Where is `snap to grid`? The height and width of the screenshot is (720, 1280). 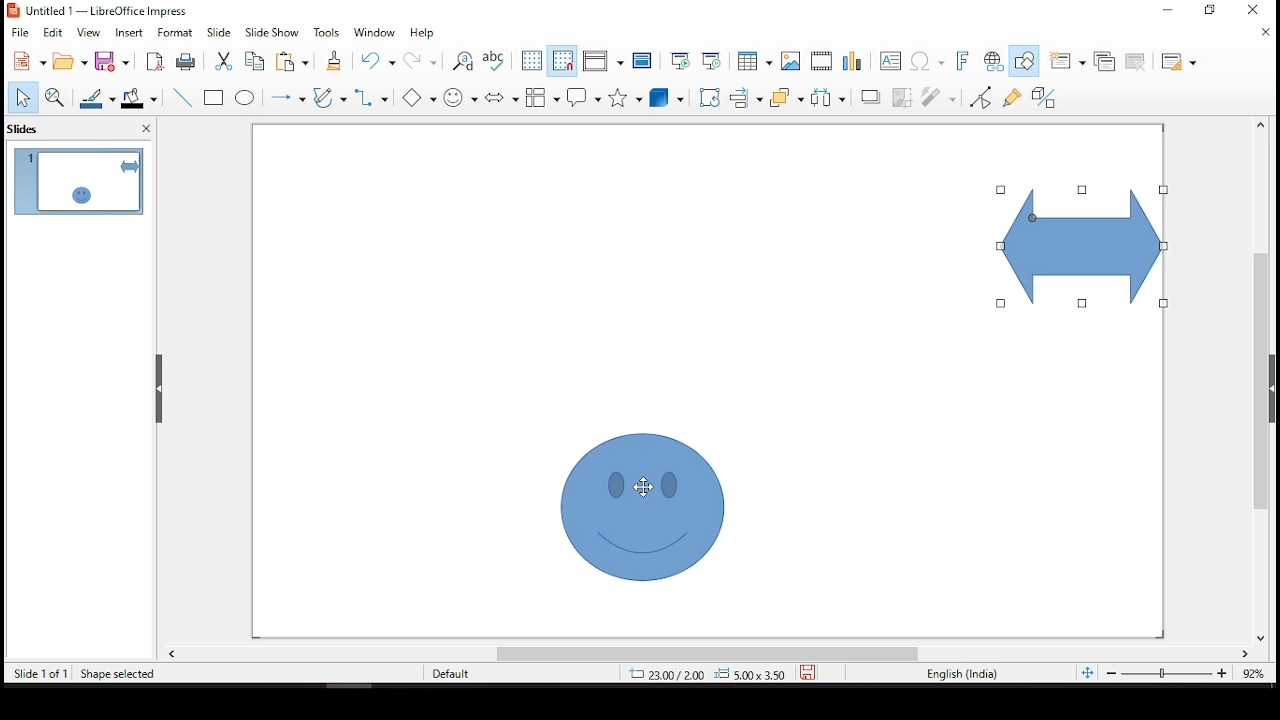 snap to grid is located at coordinates (562, 61).